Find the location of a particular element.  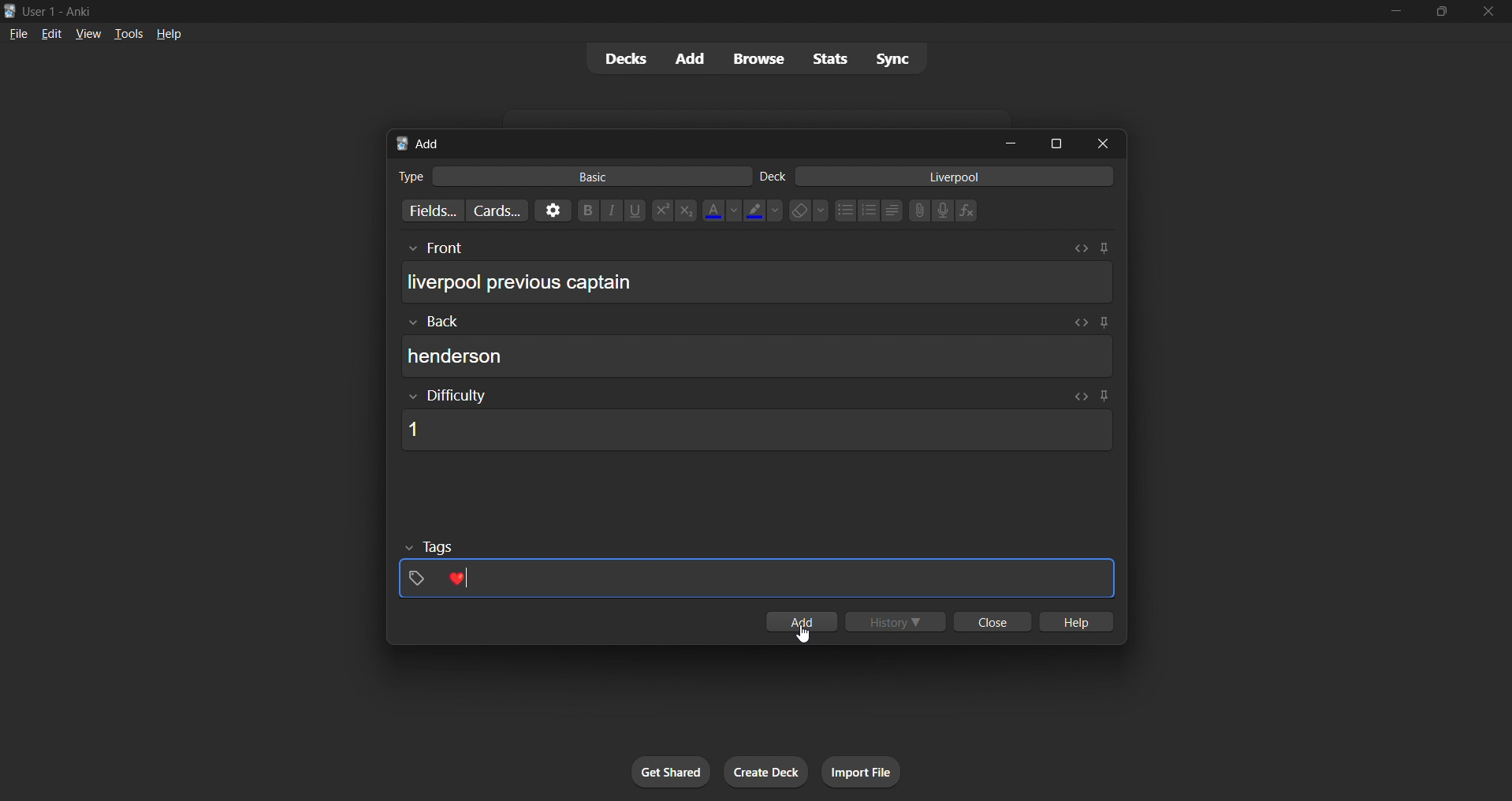

text highlight color is located at coordinates (763, 210).